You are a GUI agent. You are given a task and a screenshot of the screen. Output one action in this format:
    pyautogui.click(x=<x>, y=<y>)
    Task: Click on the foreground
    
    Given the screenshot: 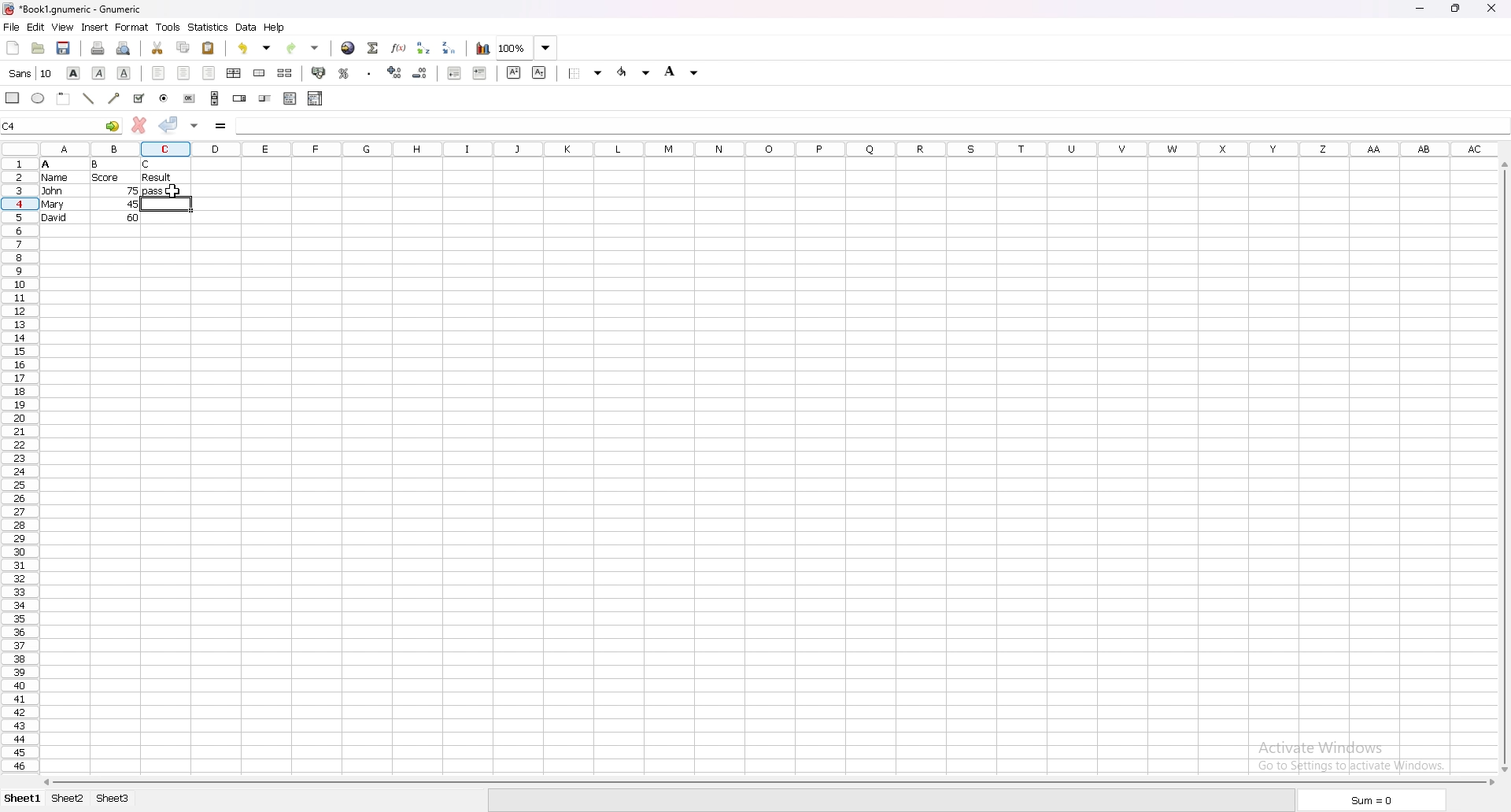 What is the action you would take?
    pyautogui.click(x=634, y=72)
    